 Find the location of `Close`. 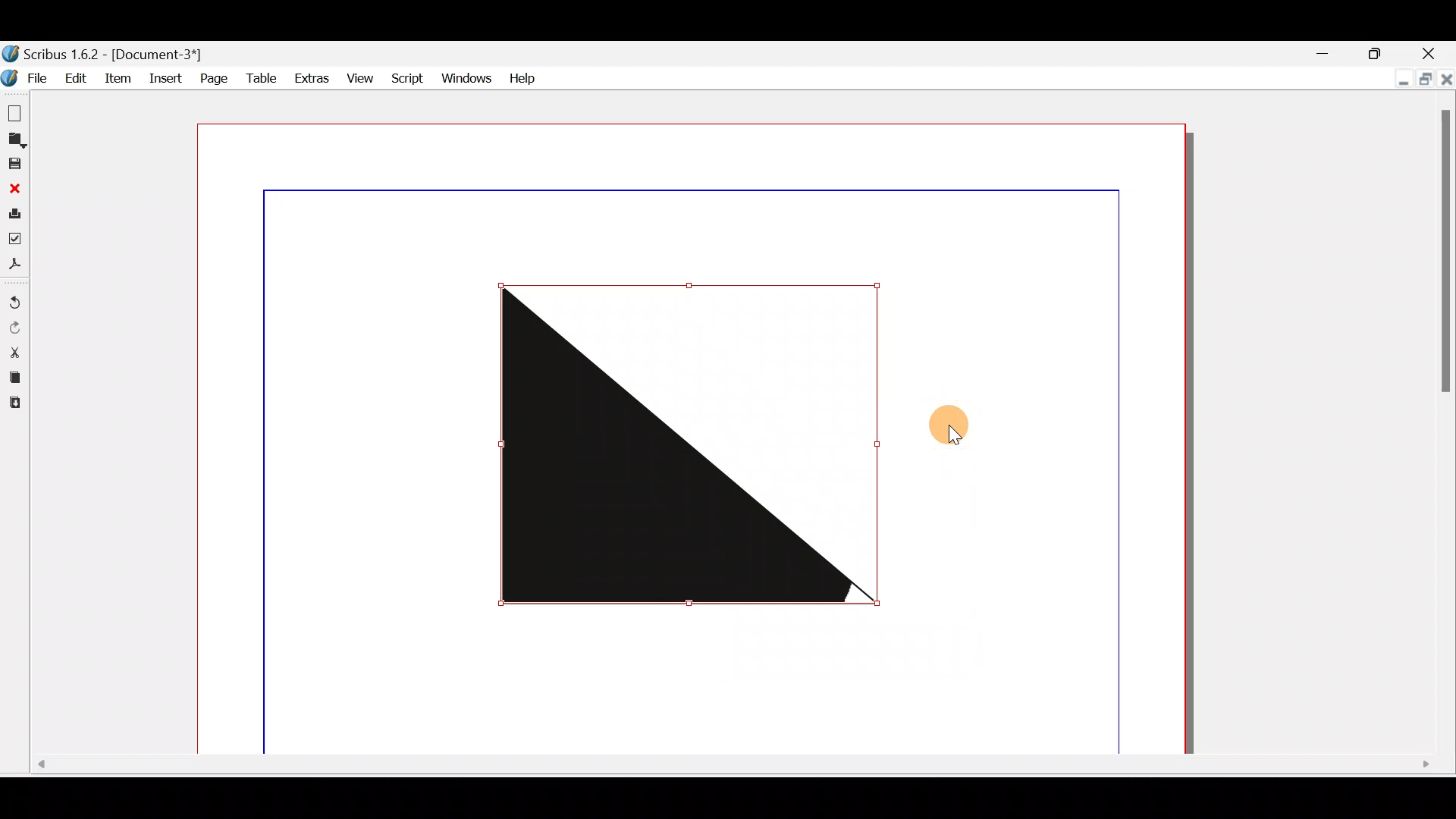

Close is located at coordinates (1445, 83).